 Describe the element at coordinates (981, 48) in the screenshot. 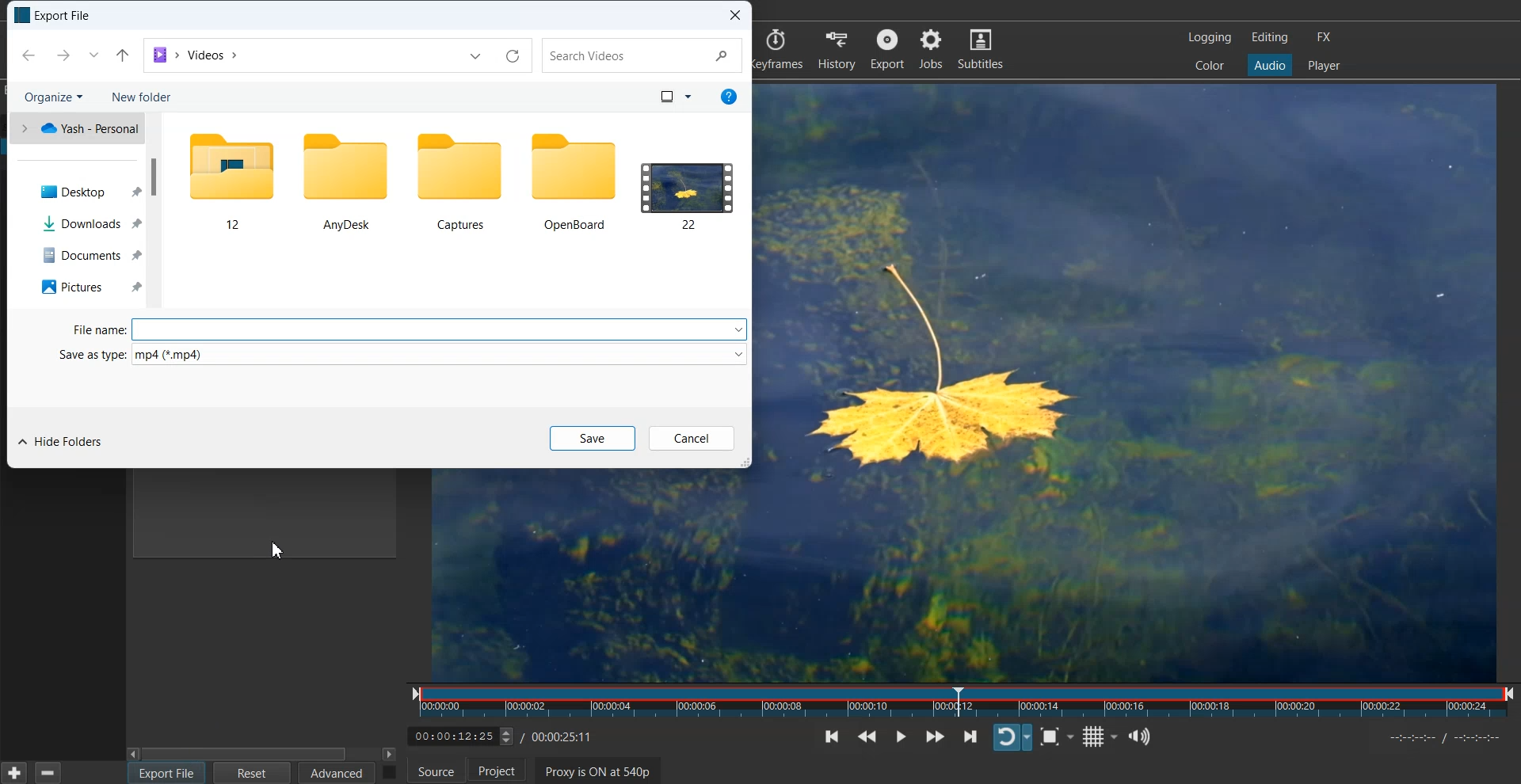

I see `Subtitles` at that location.